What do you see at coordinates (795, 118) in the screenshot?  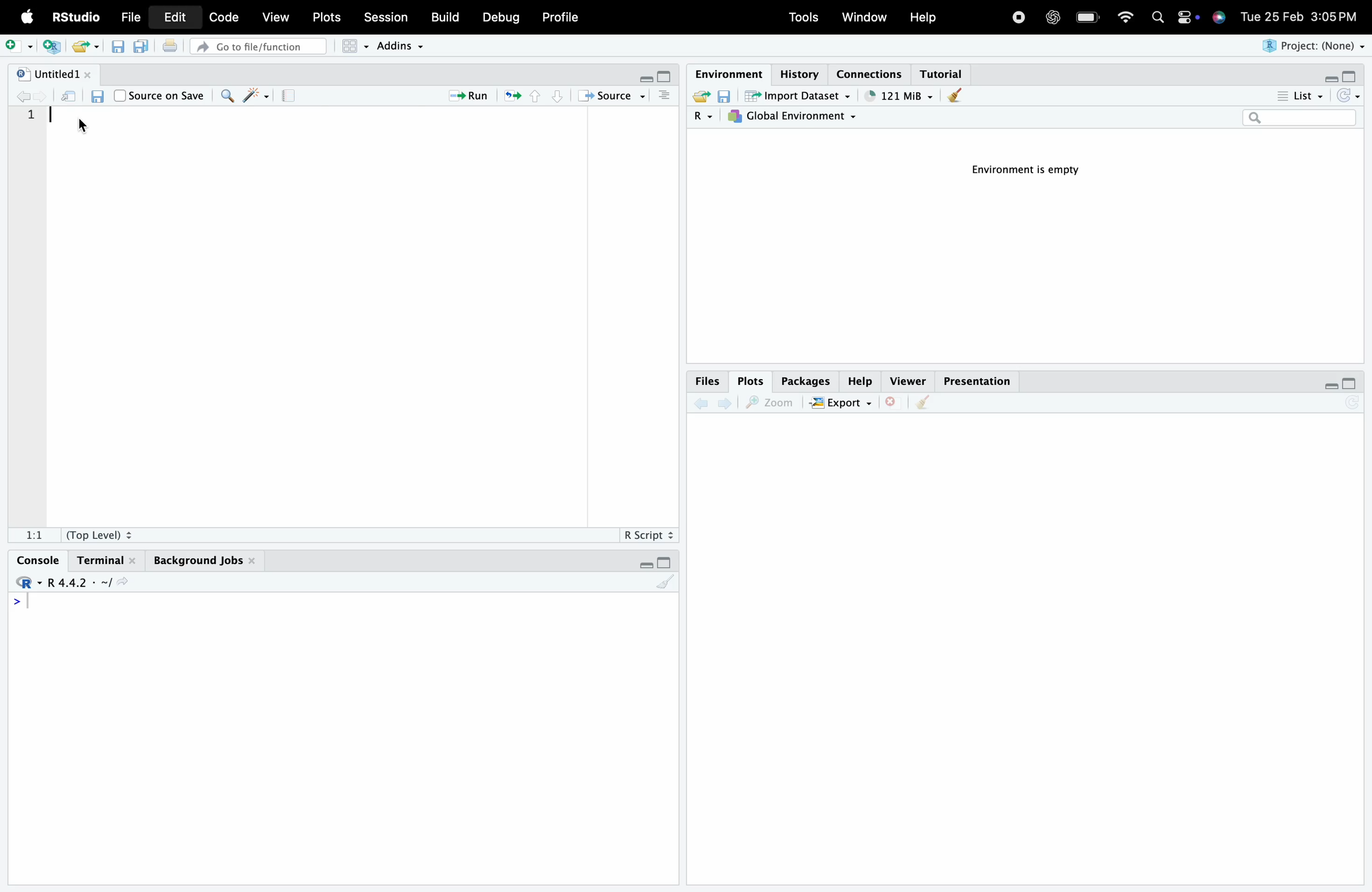 I see `Global Environment` at bounding box center [795, 118].